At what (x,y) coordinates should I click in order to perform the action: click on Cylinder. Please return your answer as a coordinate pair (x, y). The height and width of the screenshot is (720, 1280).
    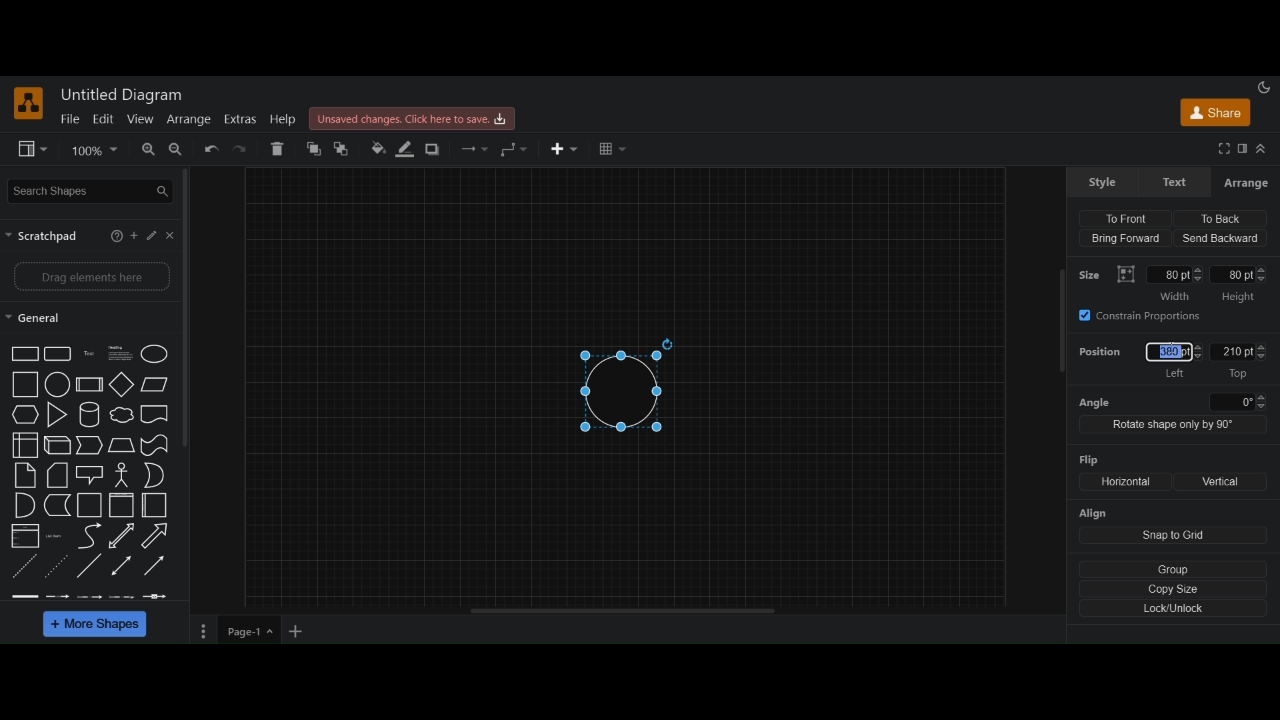
    Looking at the image, I should click on (91, 416).